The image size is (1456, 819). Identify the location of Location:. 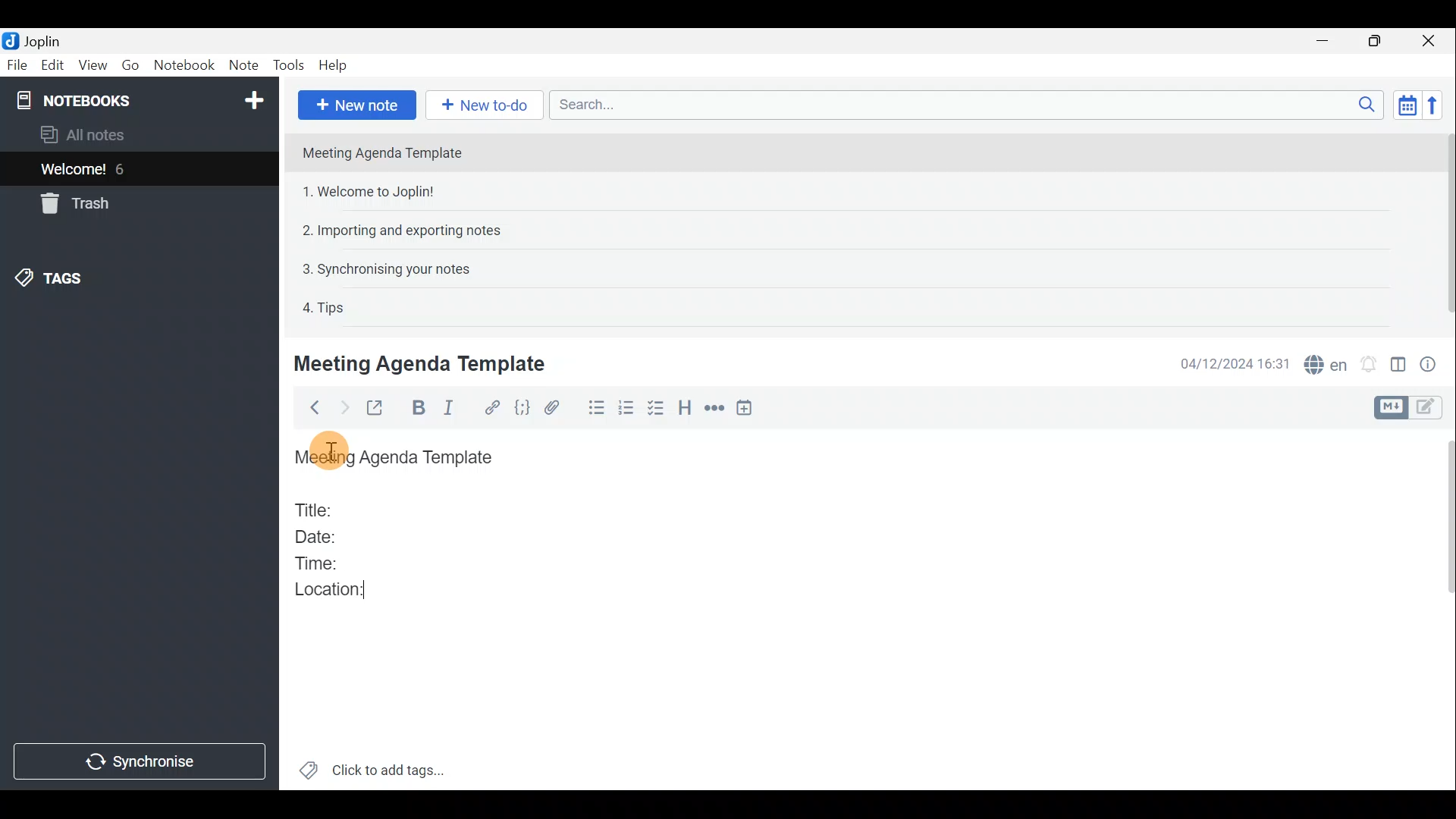
(335, 595).